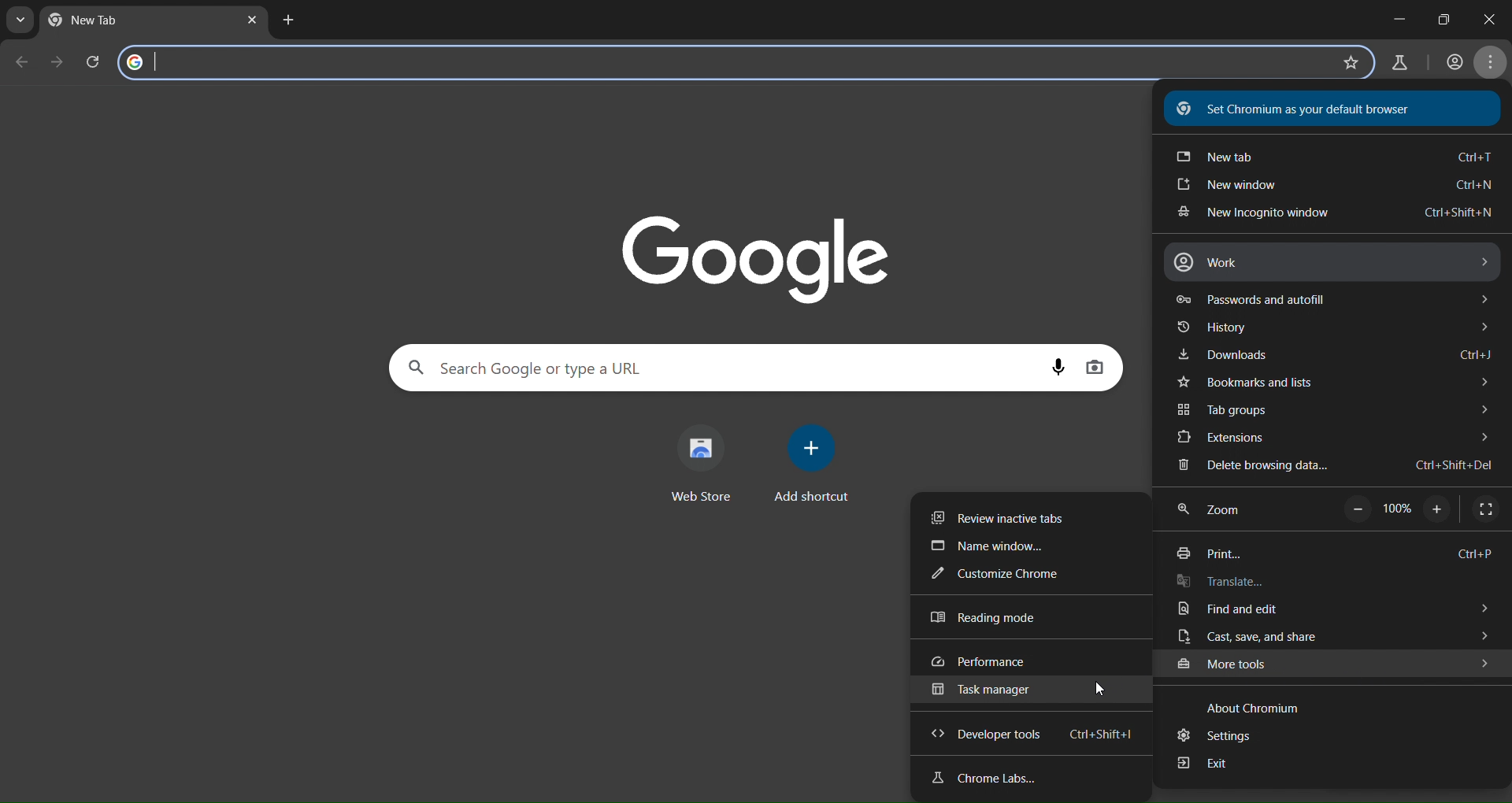 This screenshot has width=1512, height=803. Describe the element at coordinates (1221, 736) in the screenshot. I see `settings` at that location.